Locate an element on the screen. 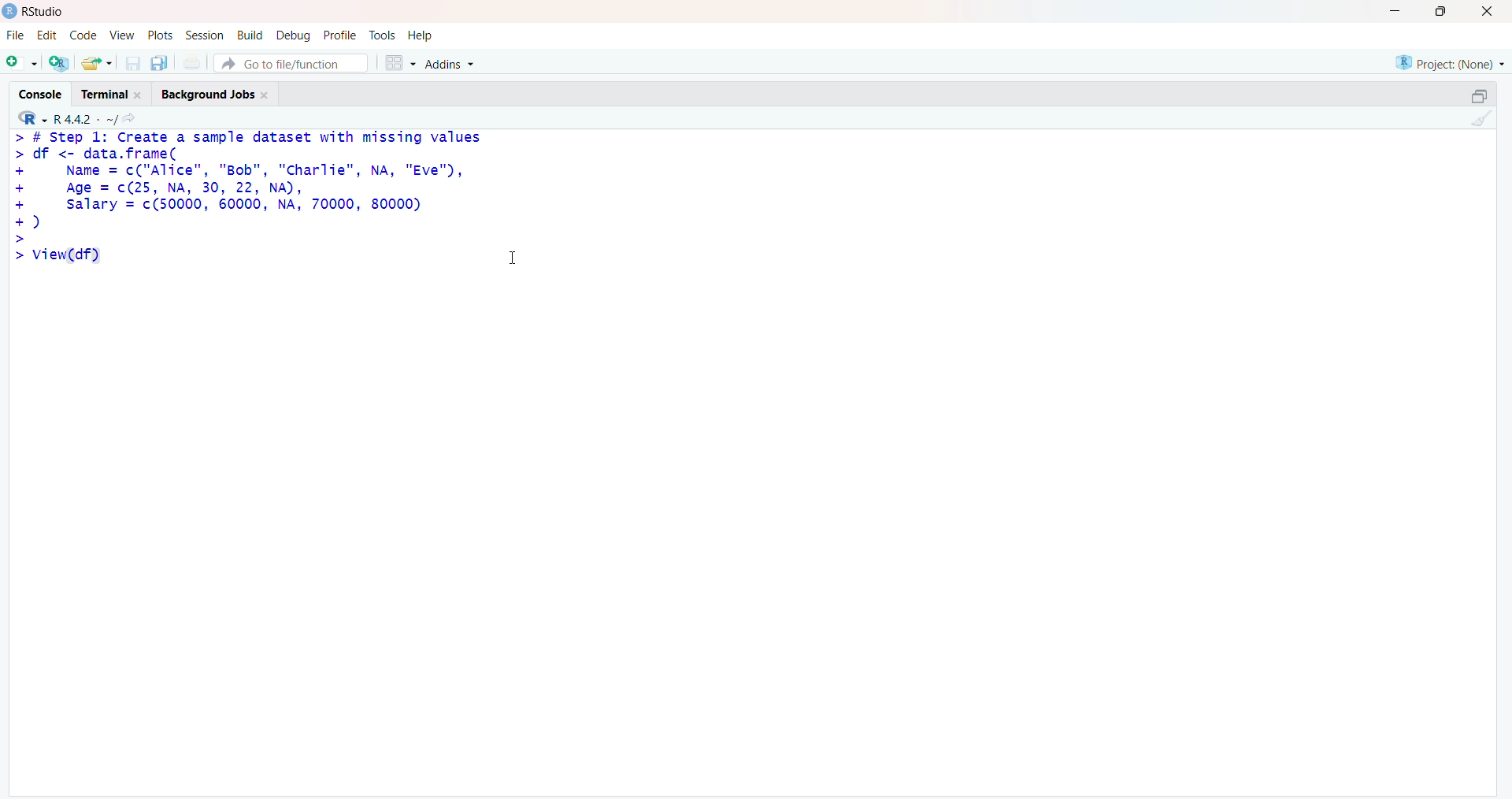 The height and width of the screenshot is (799, 1512). Save current document (Ctrl + S) is located at coordinates (132, 64).